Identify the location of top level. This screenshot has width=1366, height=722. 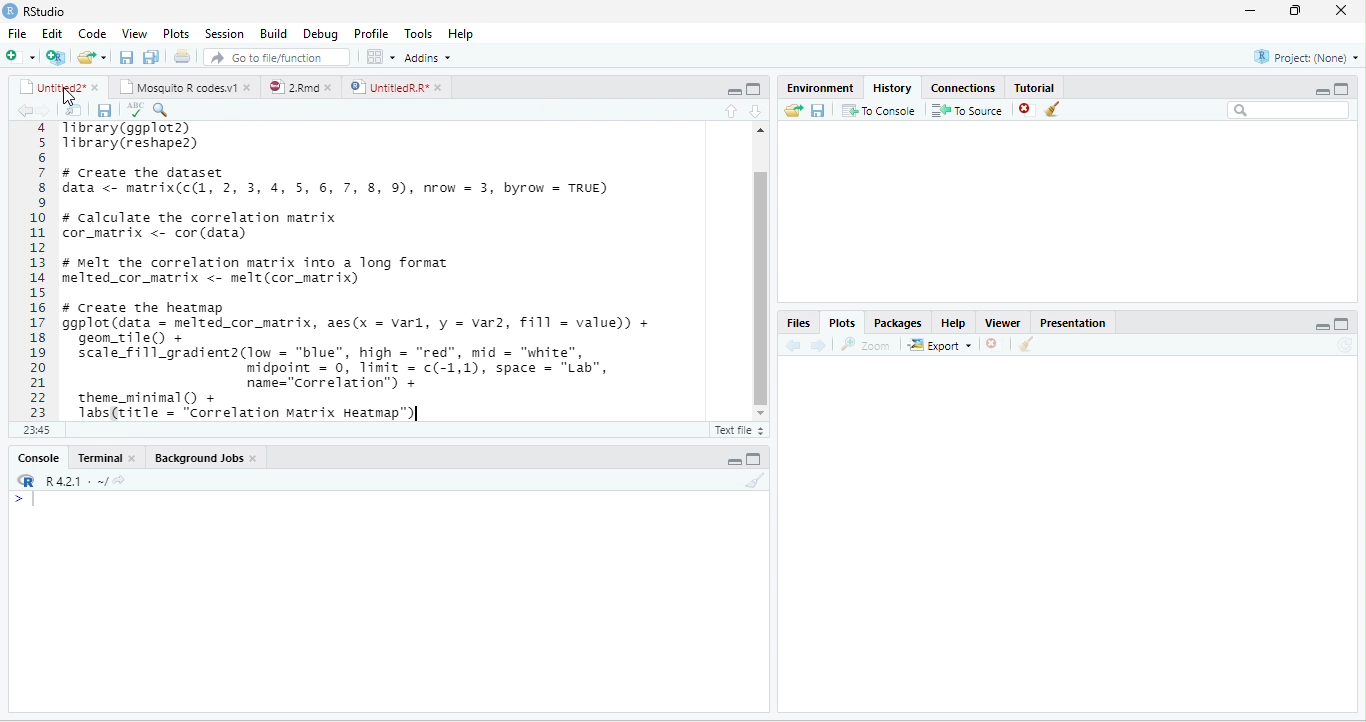
(118, 432).